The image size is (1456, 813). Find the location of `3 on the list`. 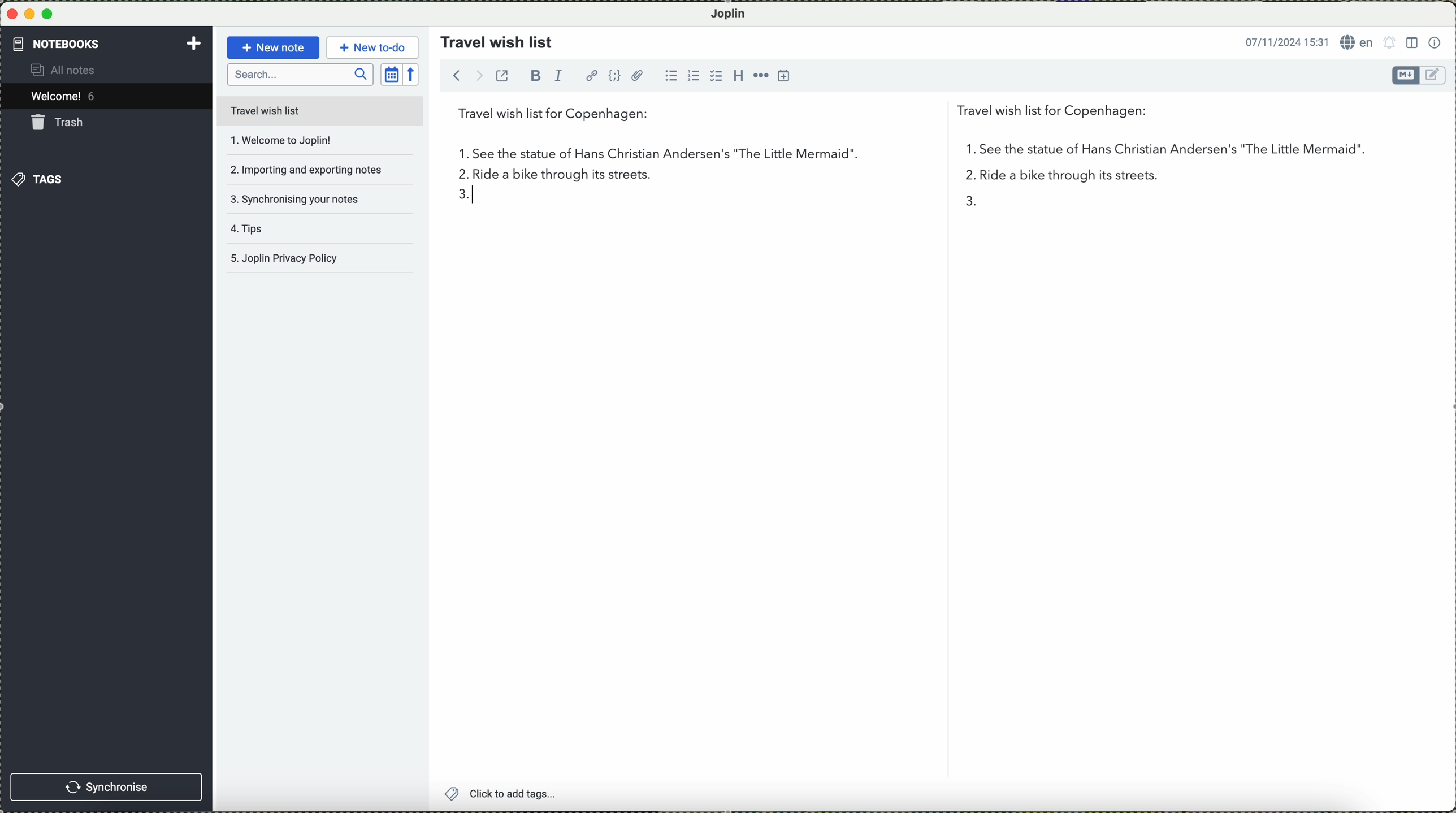

3 on the list is located at coordinates (455, 197).